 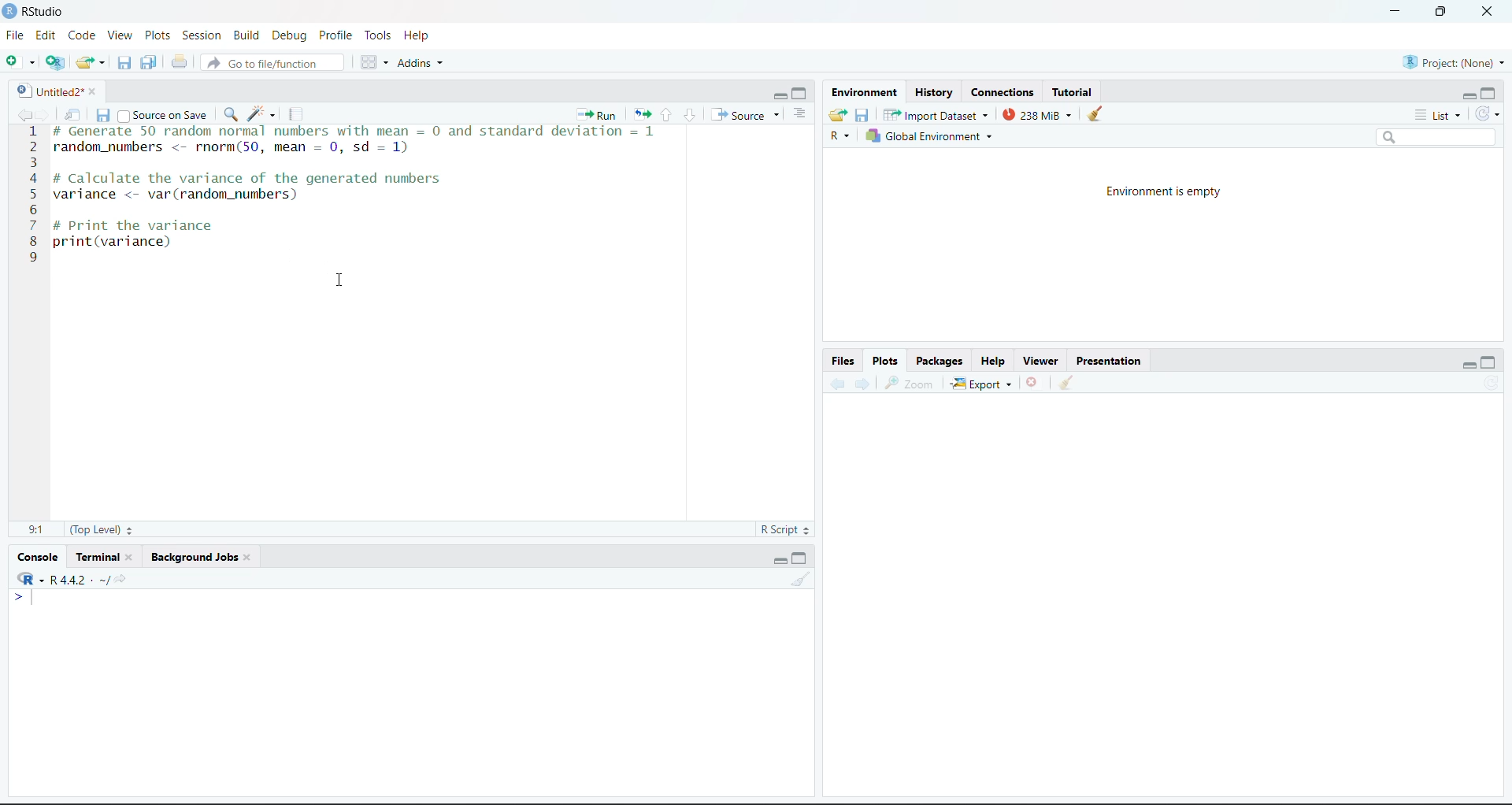 I want to click on Tutorial, so click(x=1072, y=93).